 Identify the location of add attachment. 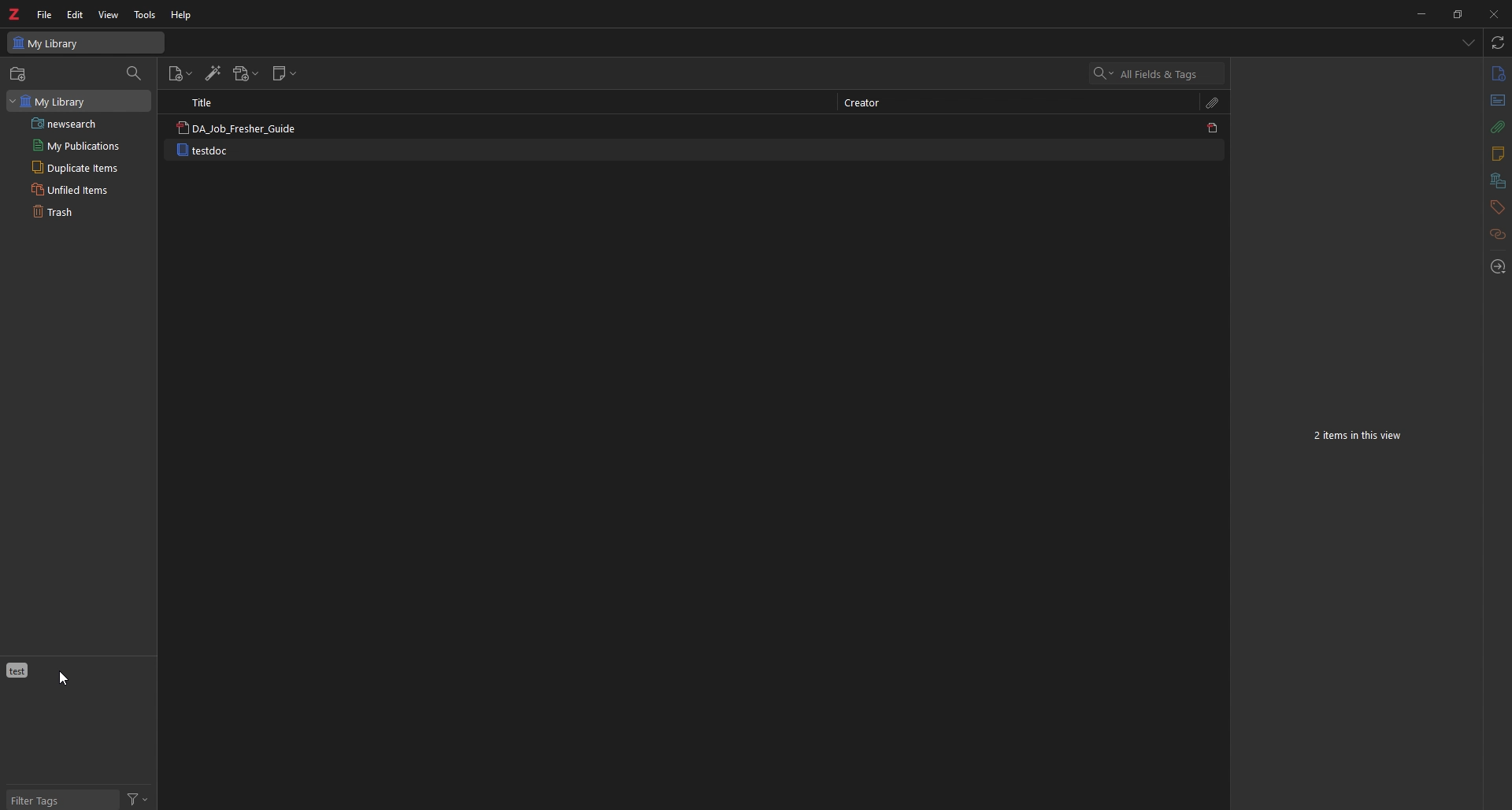
(246, 75).